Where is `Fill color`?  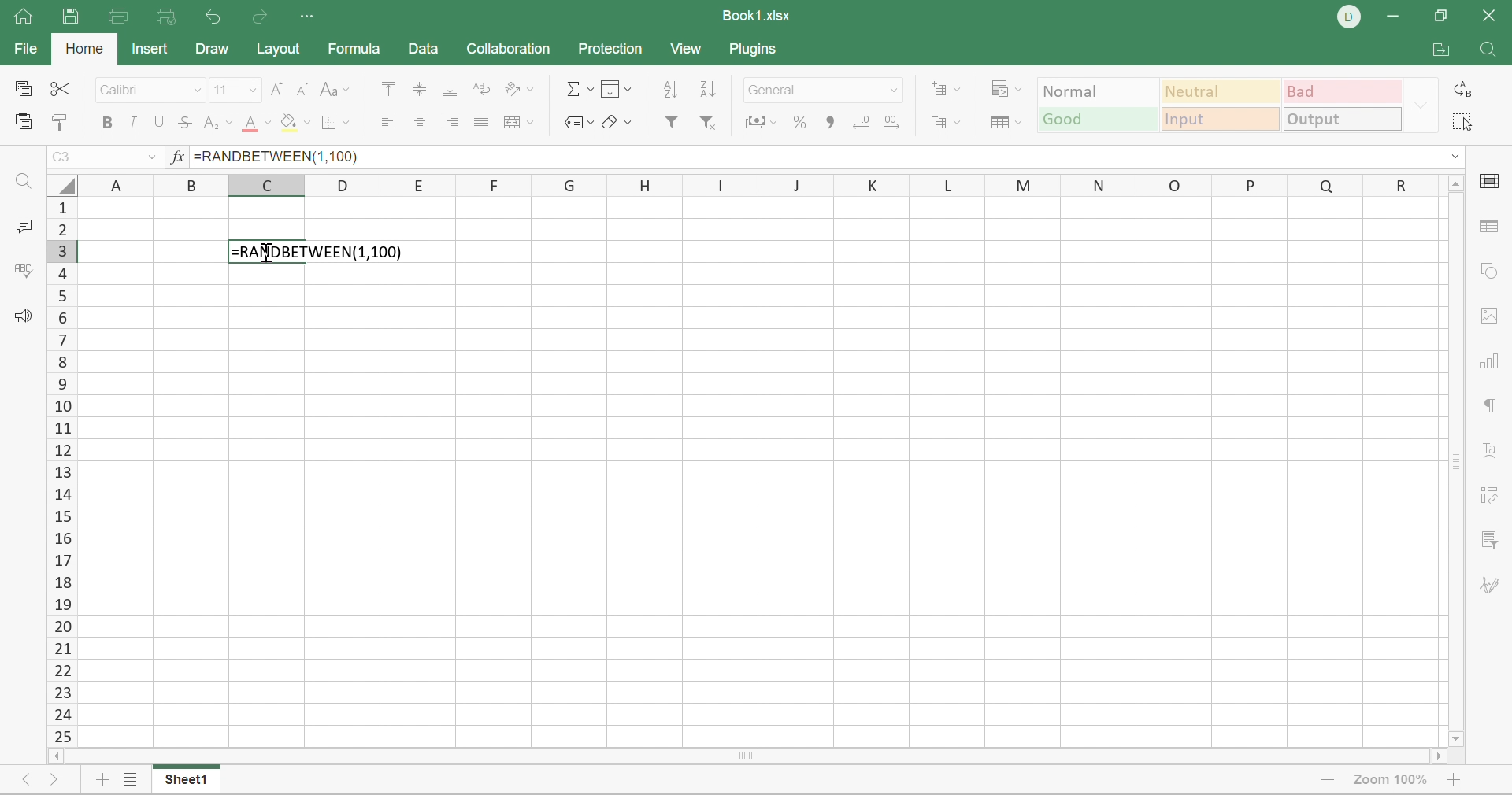
Fill color is located at coordinates (295, 123).